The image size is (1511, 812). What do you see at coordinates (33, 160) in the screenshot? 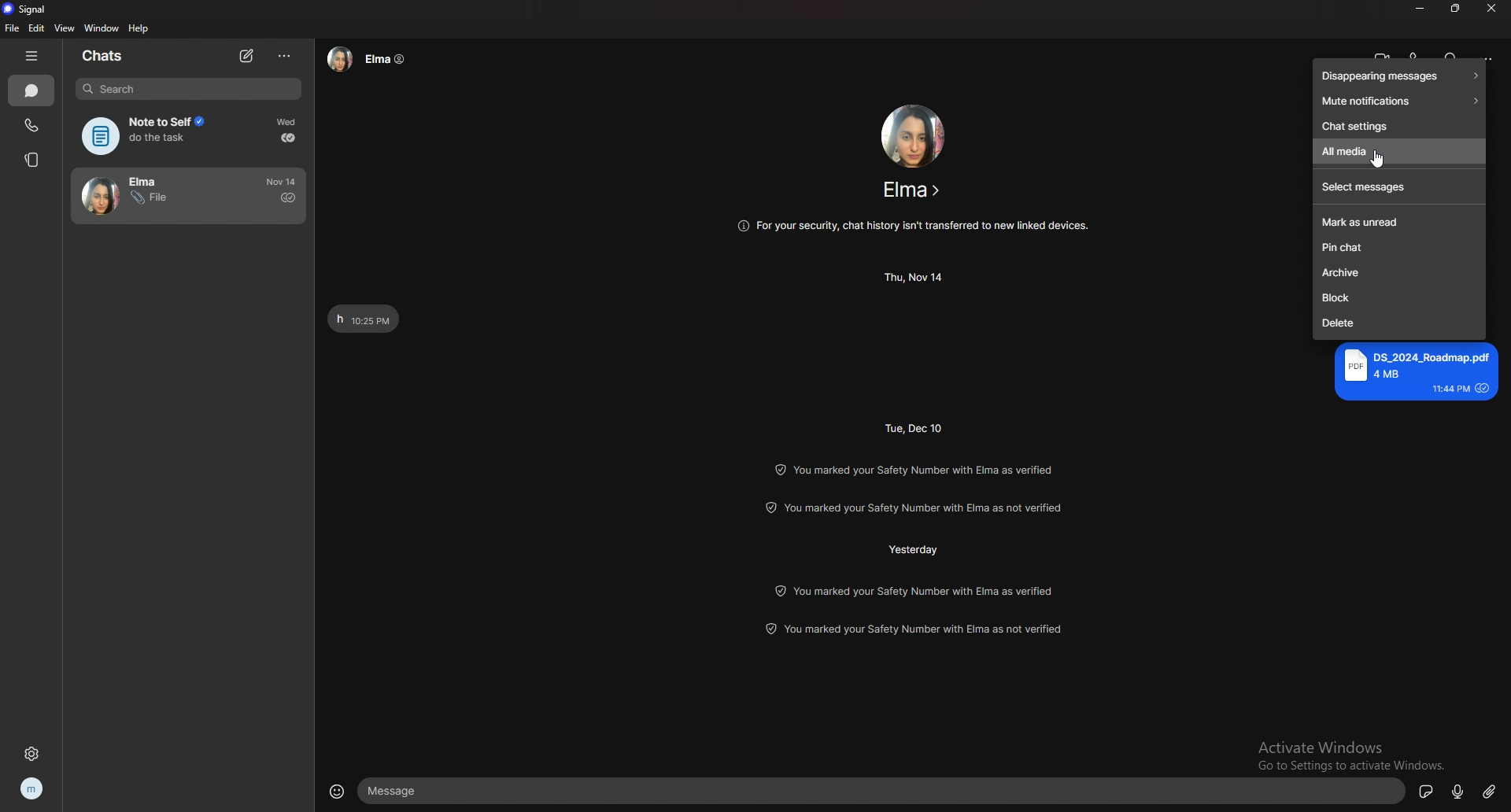
I see `stories` at bounding box center [33, 160].